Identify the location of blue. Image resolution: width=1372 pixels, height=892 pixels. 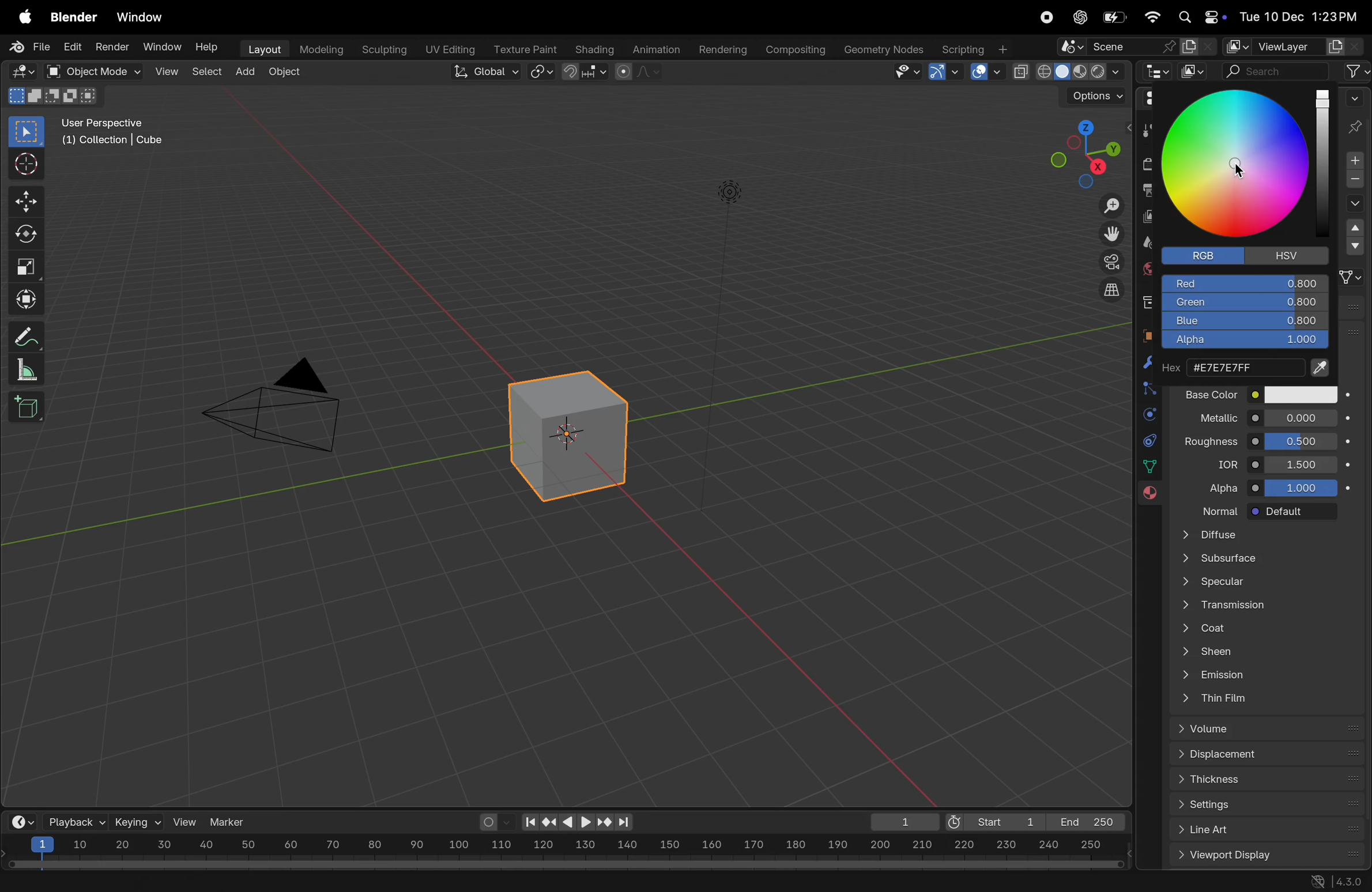
(1245, 322).